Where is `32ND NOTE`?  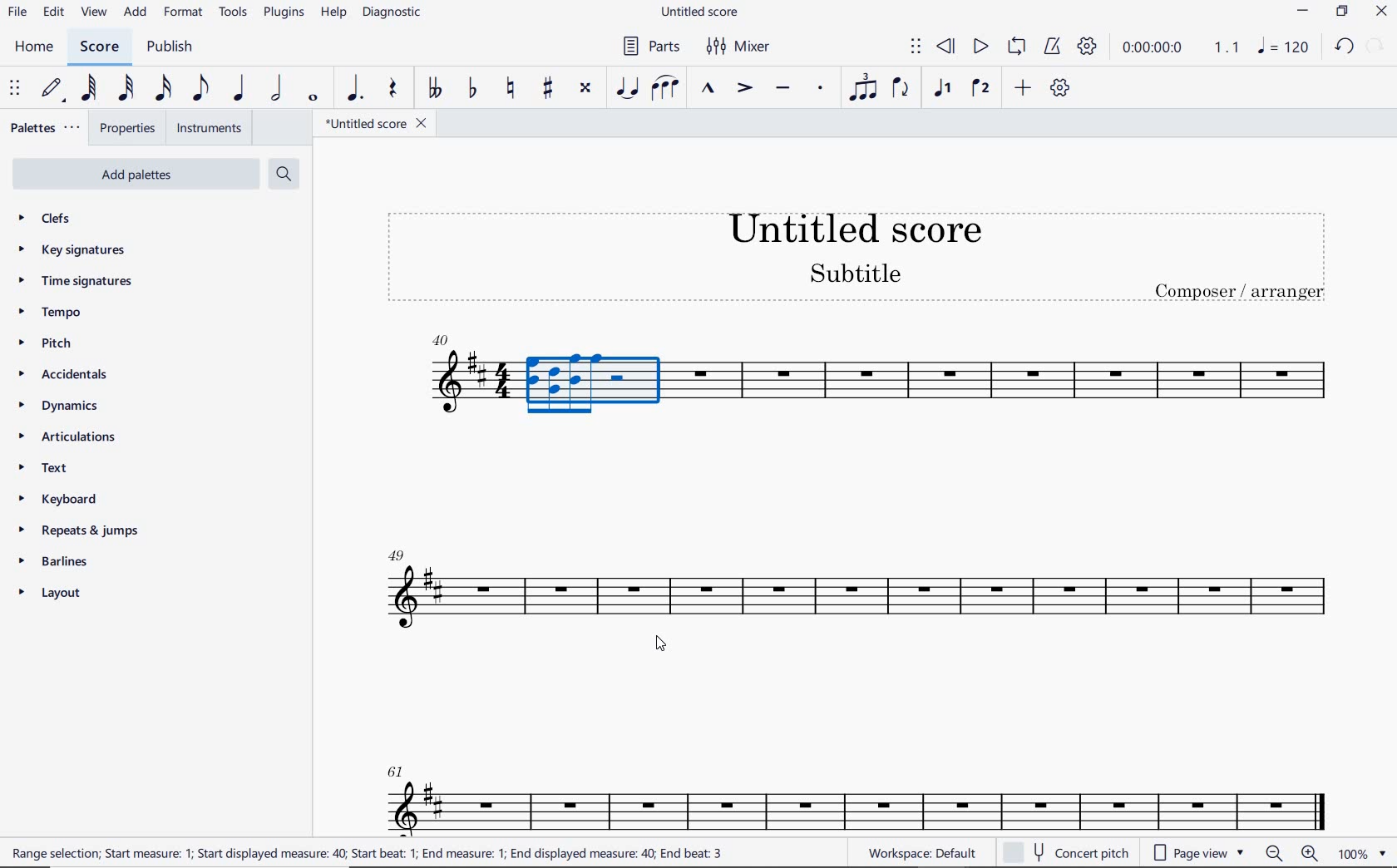 32ND NOTE is located at coordinates (126, 89).